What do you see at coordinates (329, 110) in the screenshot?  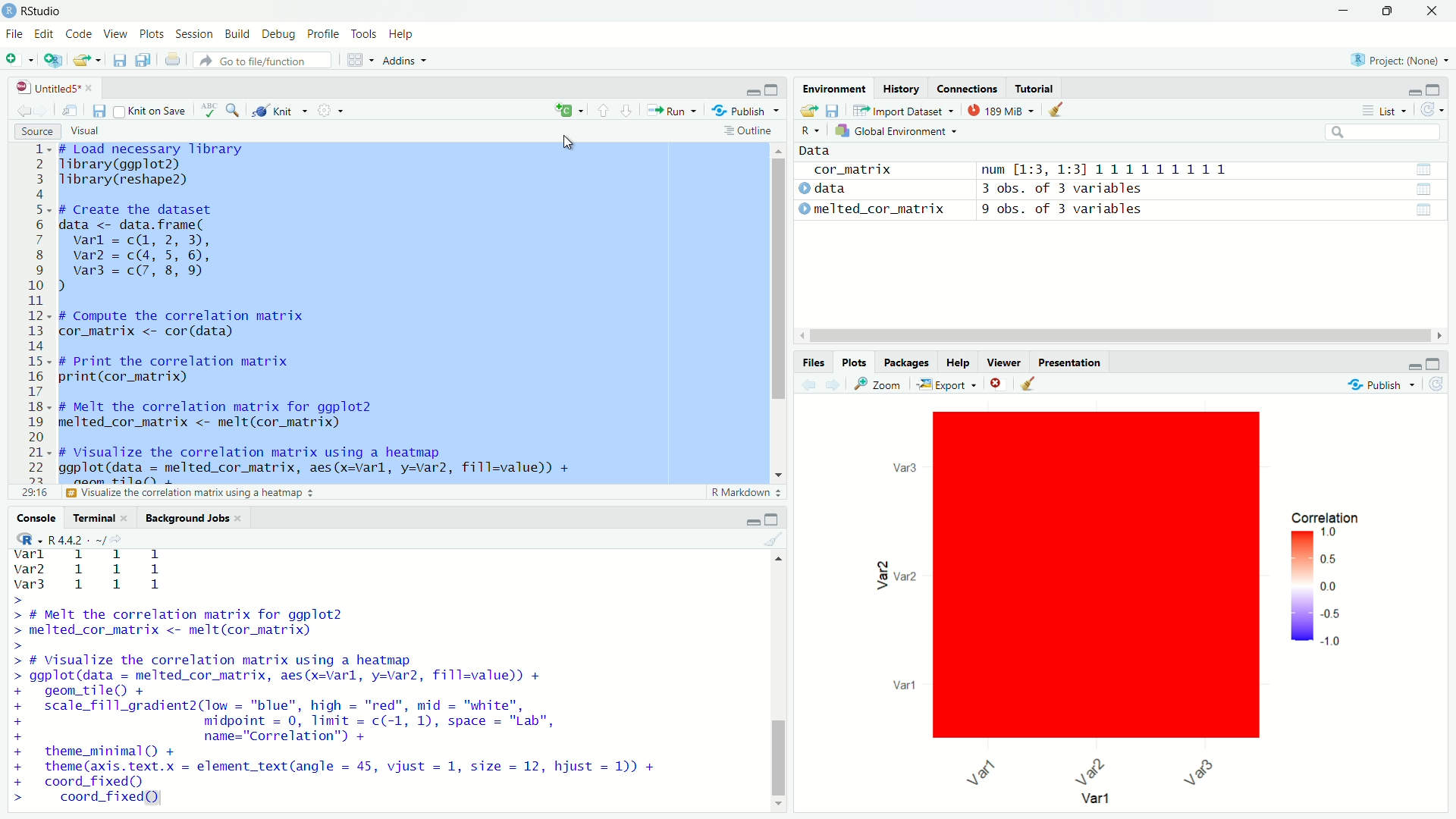 I see `settings` at bounding box center [329, 110].